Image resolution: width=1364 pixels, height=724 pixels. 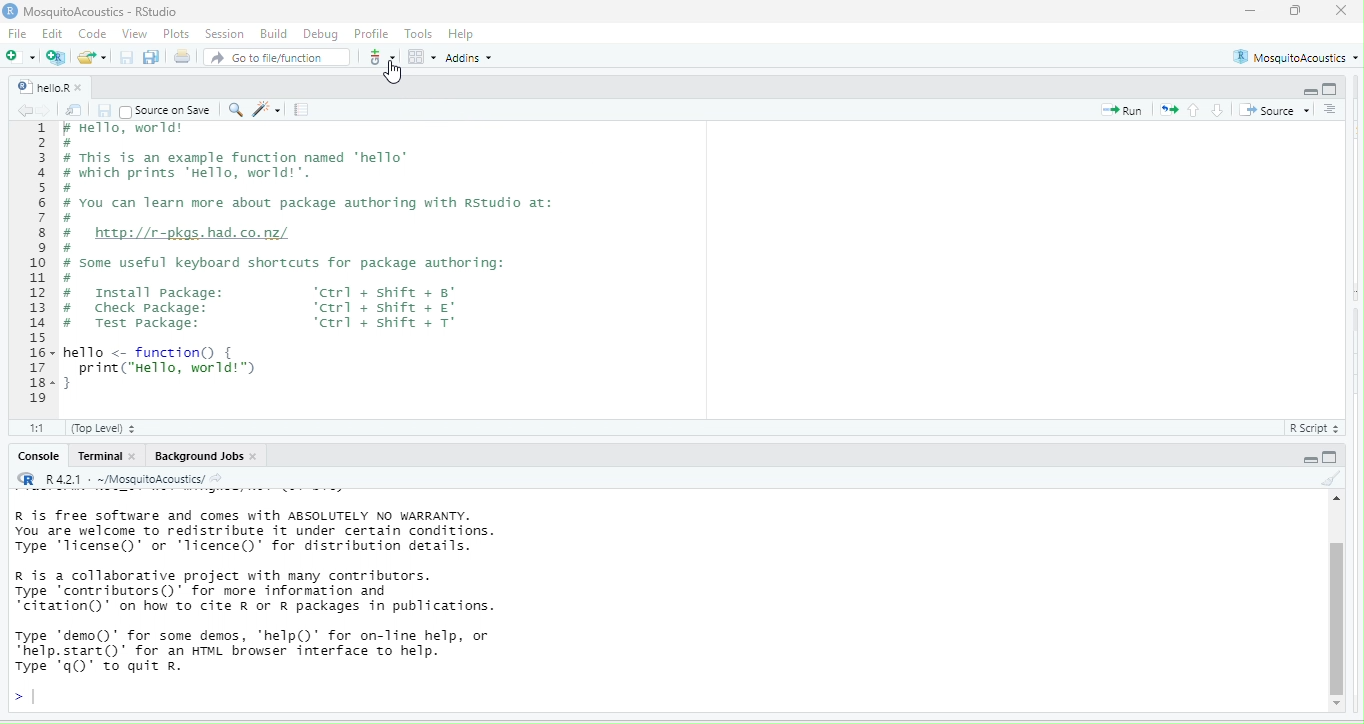 I want to click on open an existing file, so click(x=95, y=58).